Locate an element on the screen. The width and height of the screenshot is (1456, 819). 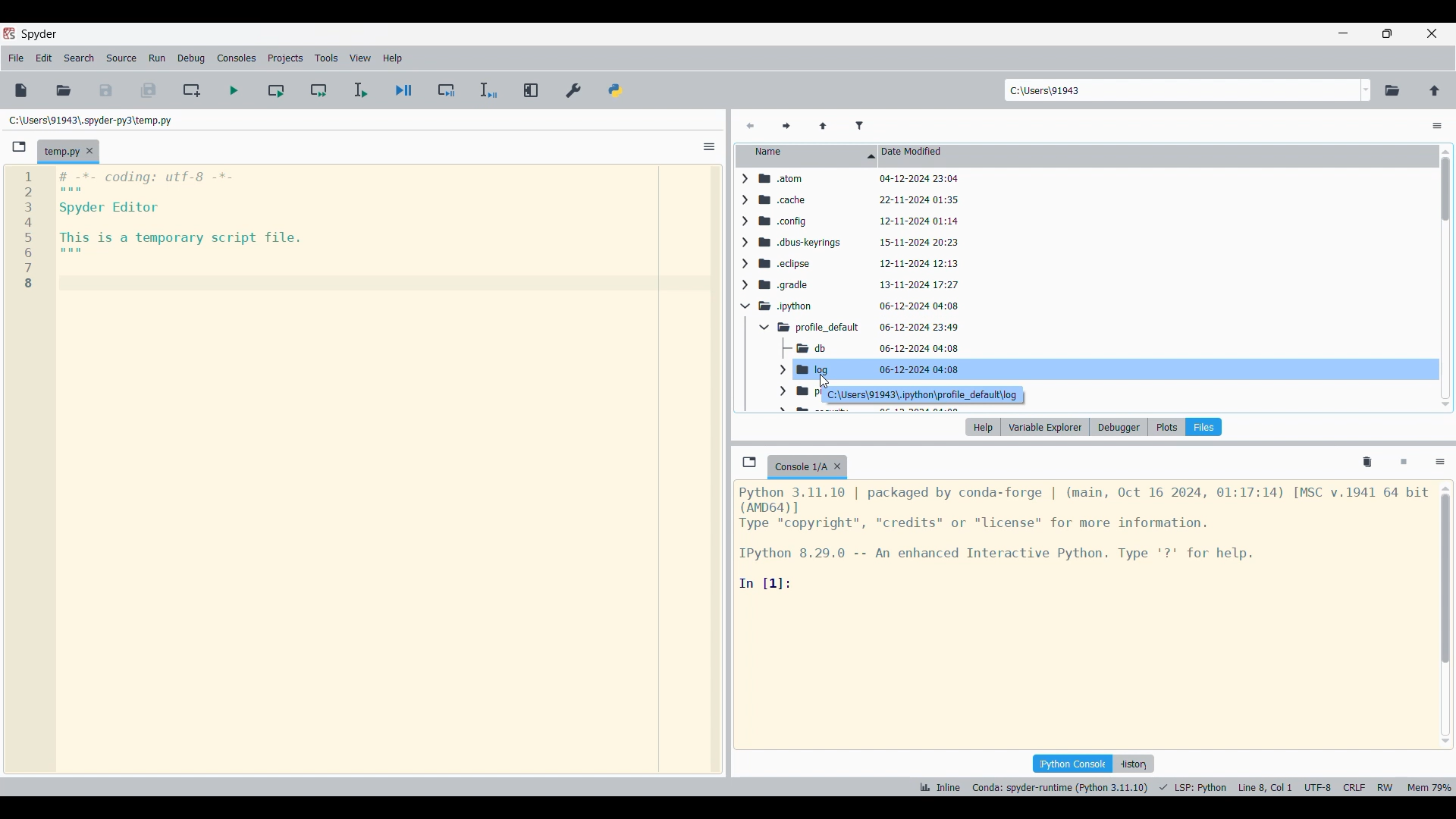
Click to expand respective folder is located at coordinates (744, 292).